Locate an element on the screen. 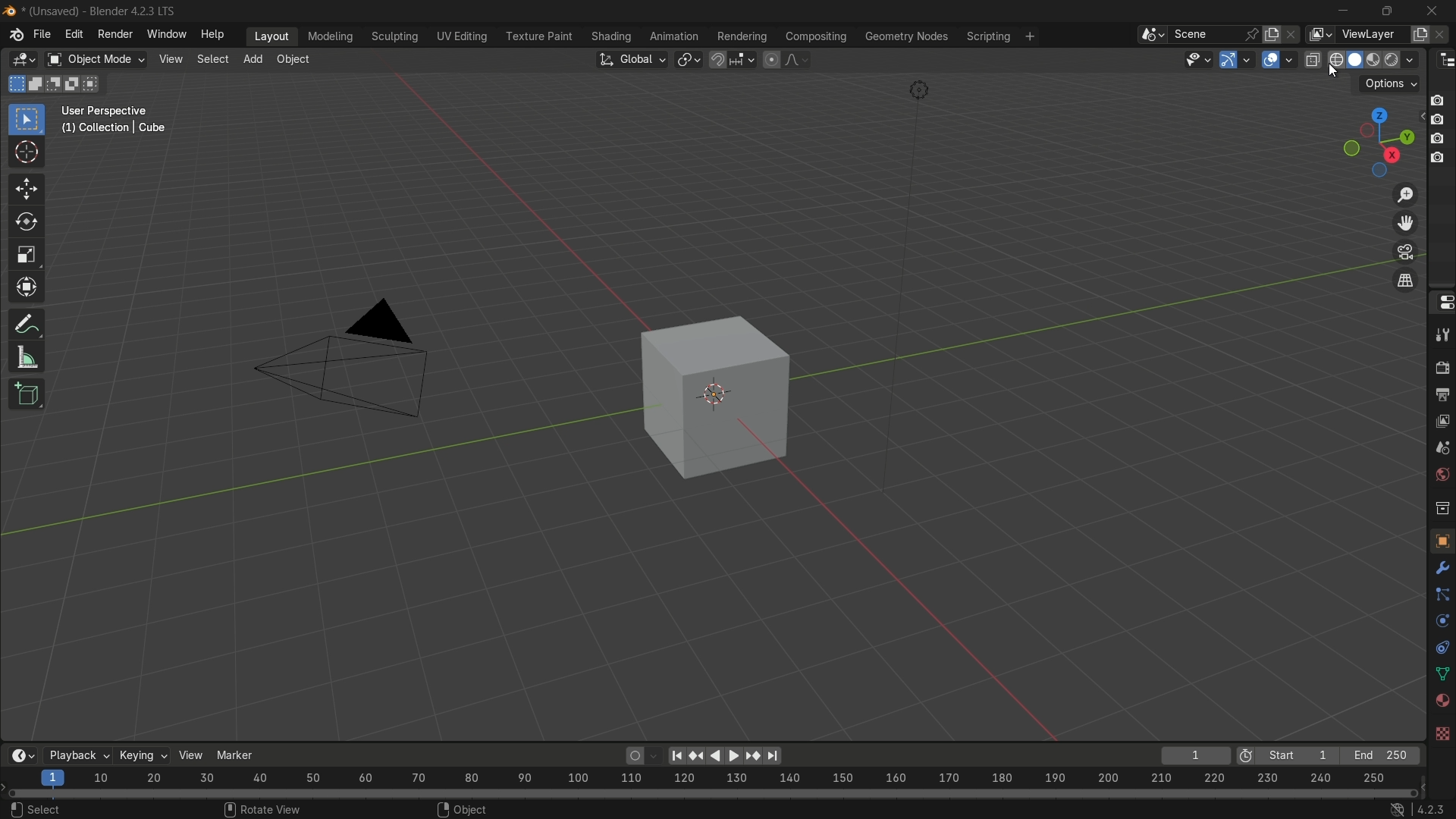  solid display is located at coordinates (1357, 60).